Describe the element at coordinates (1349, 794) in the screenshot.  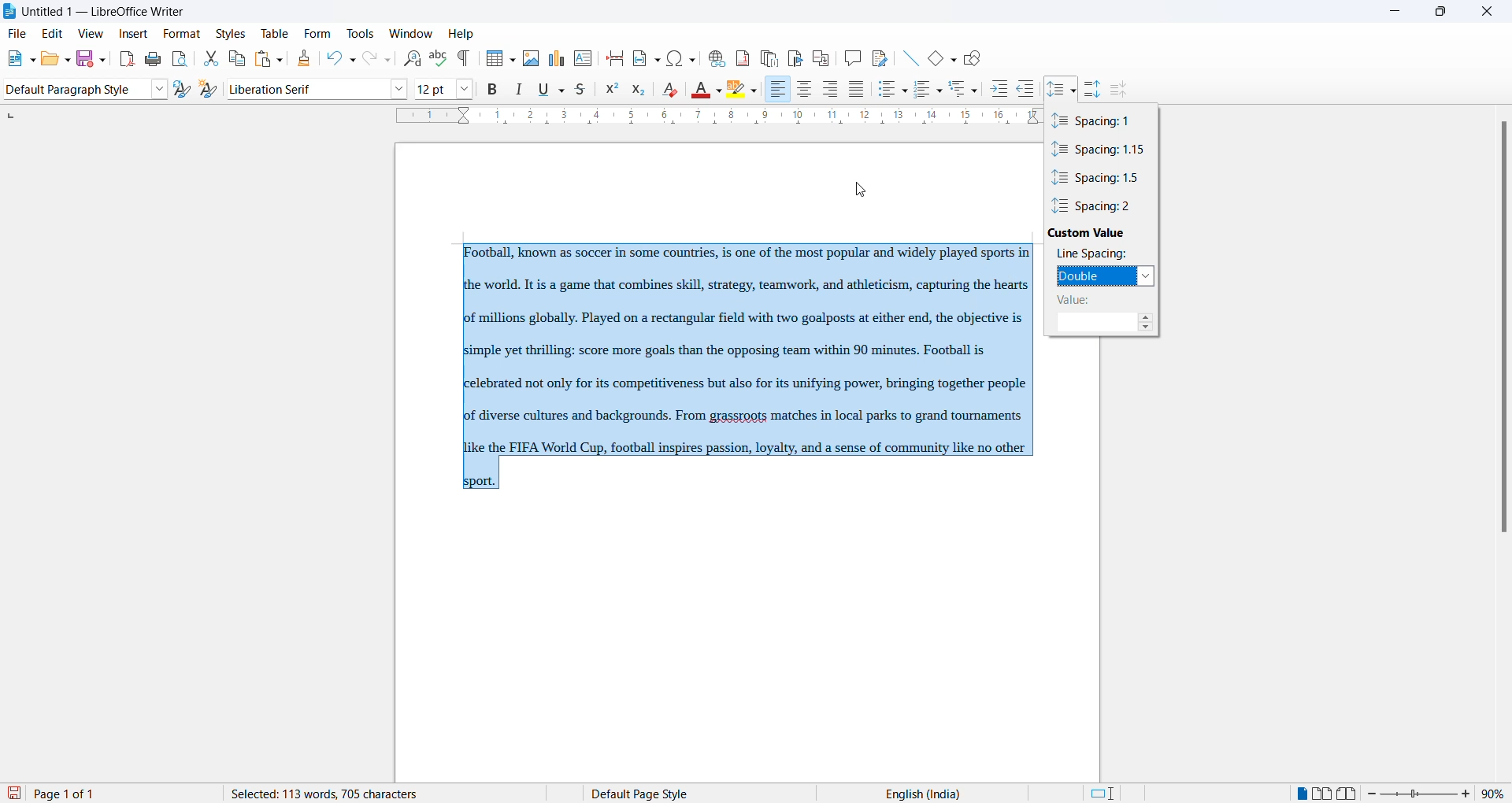
I see `book view` at that location.